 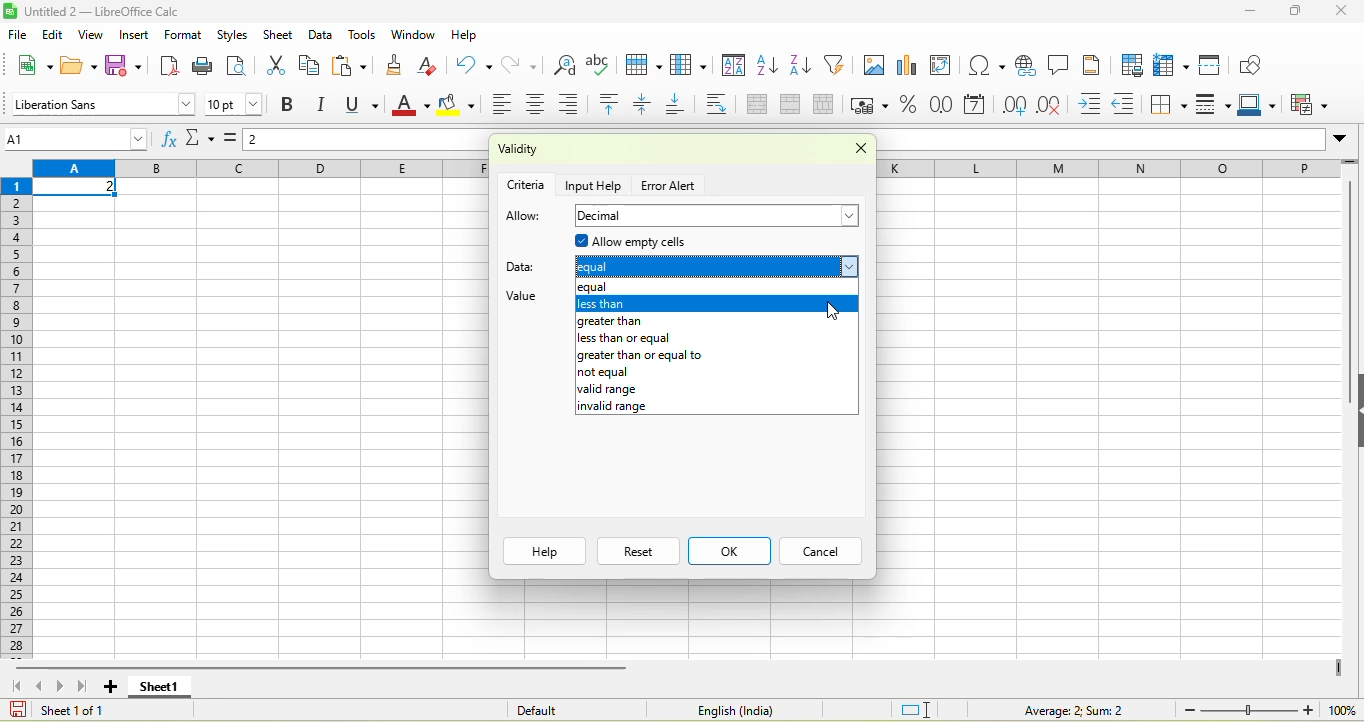 What do you see at coordinates (1108, 168) in the screenshot?
I see `row` at bounding box center [1108, 168].